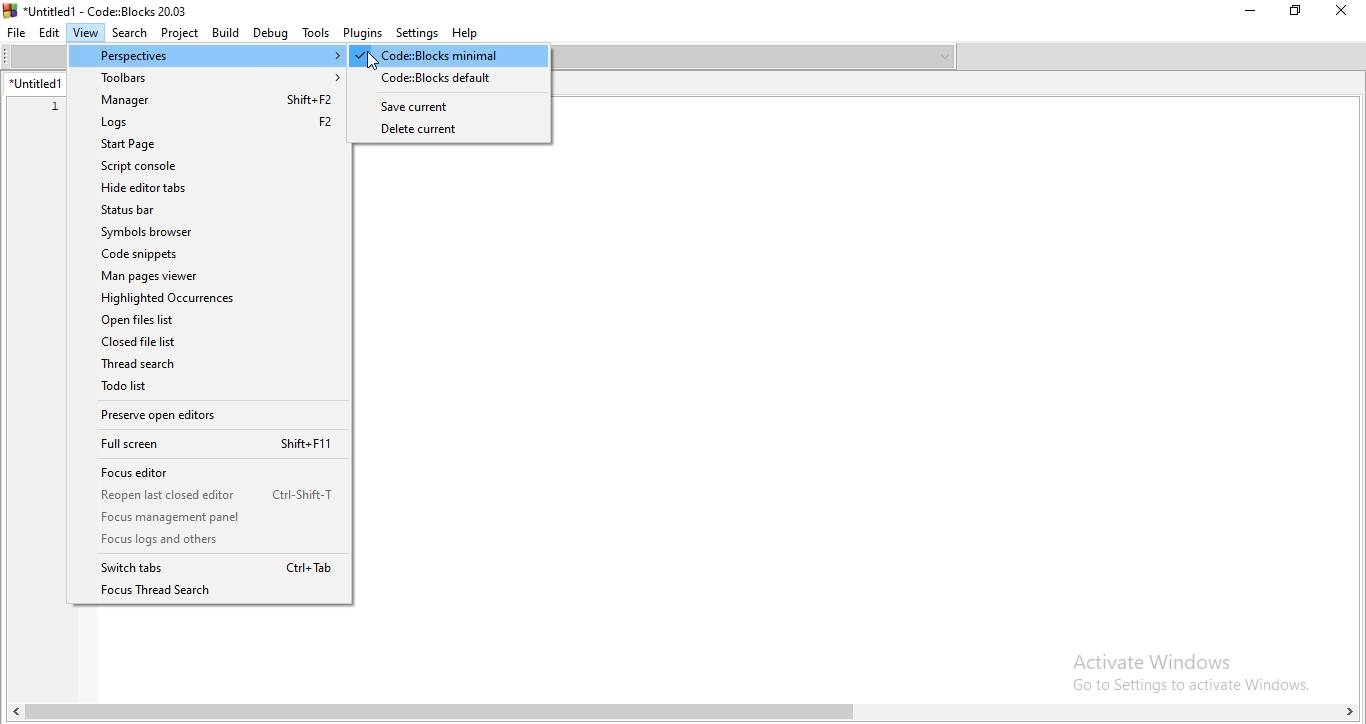 This screenshot has width=1366, height=724. I want to click on Toolbars, so click(208, 79).